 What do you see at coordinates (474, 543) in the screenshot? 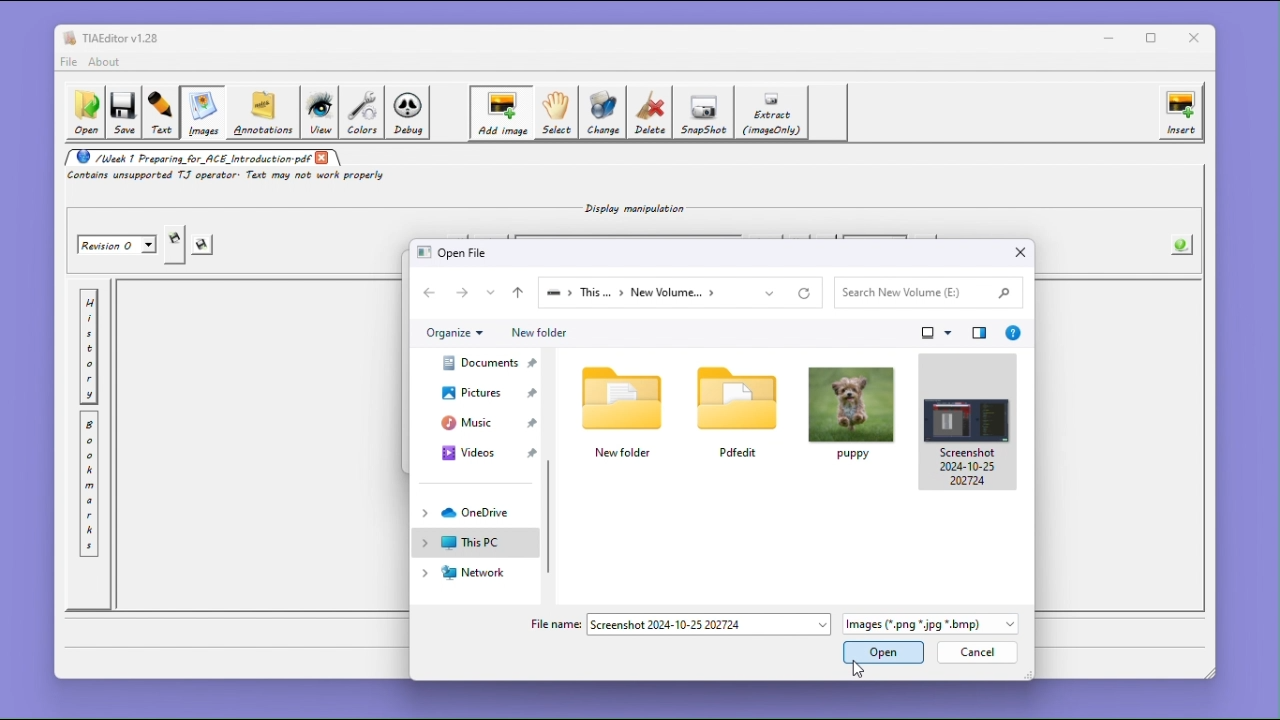
I see `This PC` at bounding box center [474, 543].